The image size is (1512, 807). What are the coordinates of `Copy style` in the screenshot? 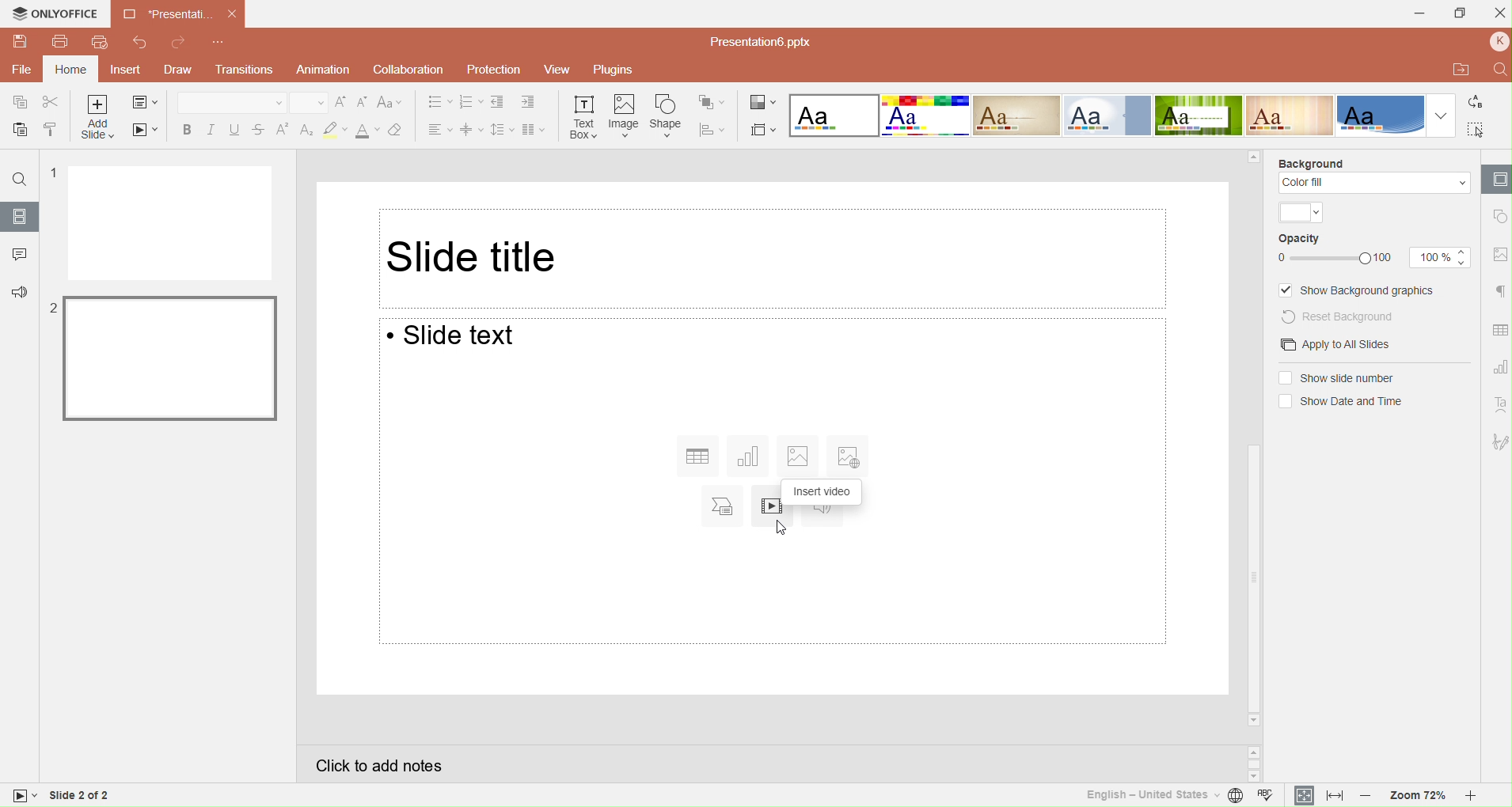 It's located at (53, 130).